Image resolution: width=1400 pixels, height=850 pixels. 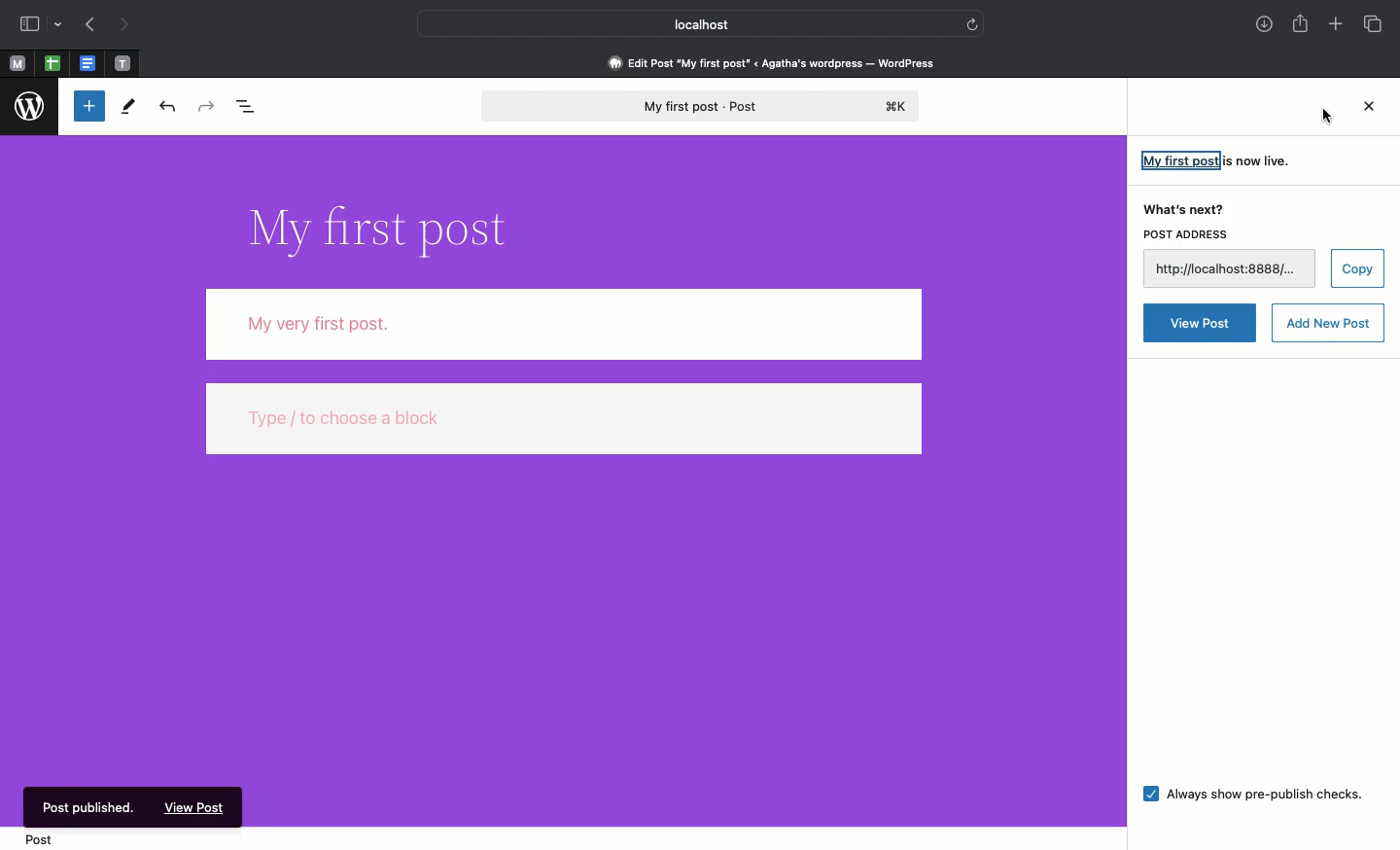 I want to click on copy, so click(x=1357, y=268).